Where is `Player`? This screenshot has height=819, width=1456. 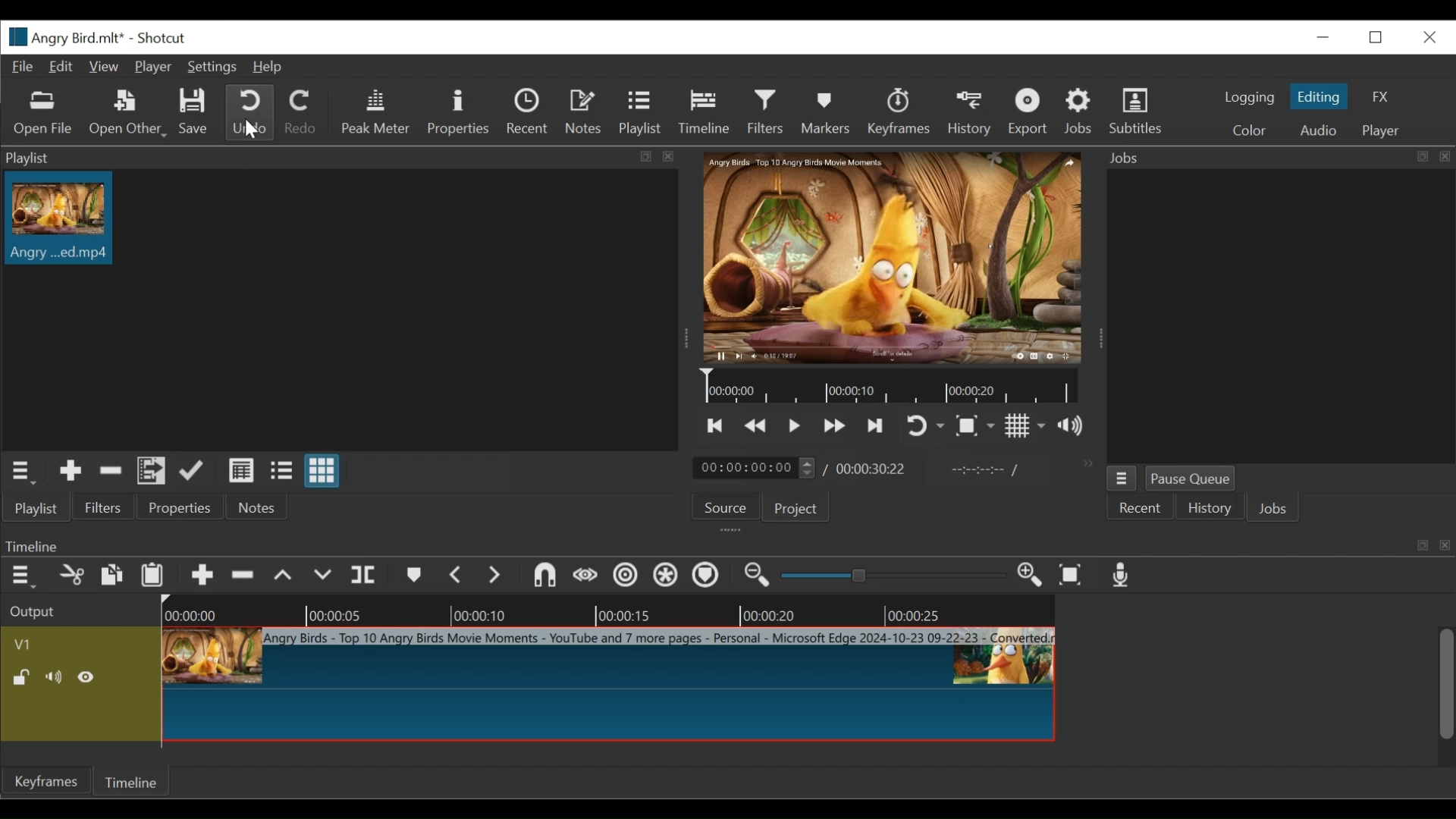 Player is located at coordinates (1384, 129).